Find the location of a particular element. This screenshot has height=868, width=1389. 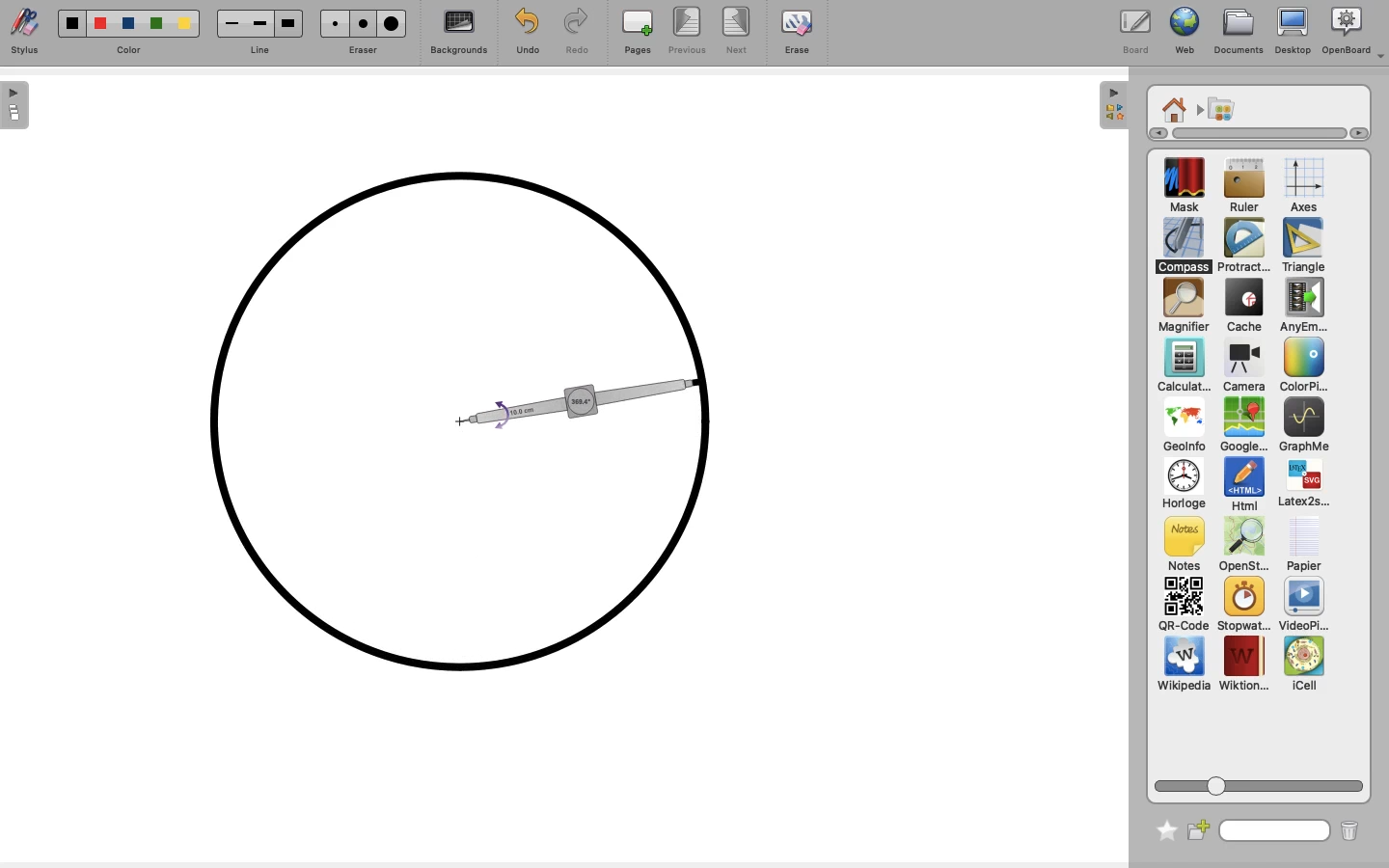

Circle almost complete is located at coordinates (483, 407).